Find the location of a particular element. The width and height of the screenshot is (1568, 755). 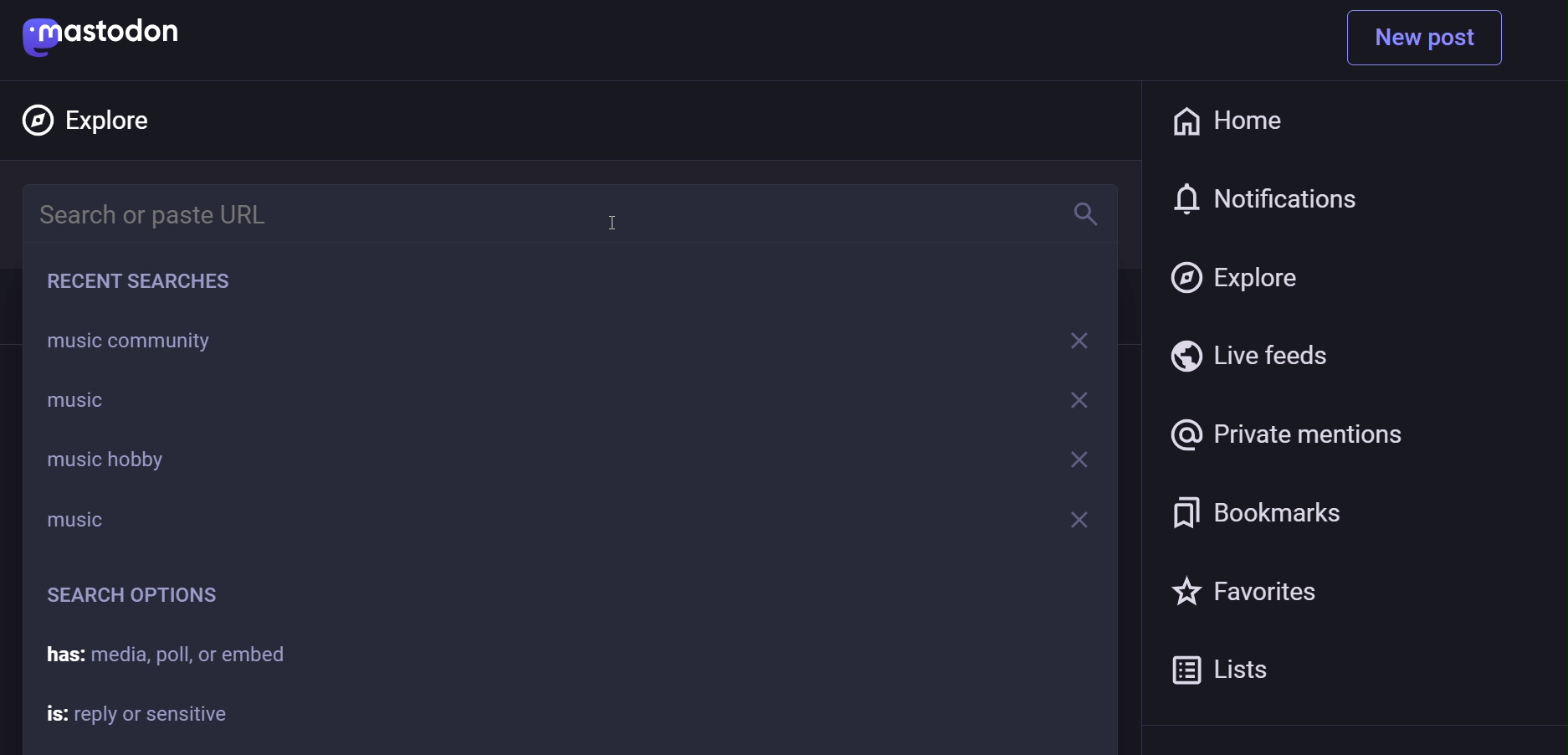

mastodon is located at coordinates (110, 33).